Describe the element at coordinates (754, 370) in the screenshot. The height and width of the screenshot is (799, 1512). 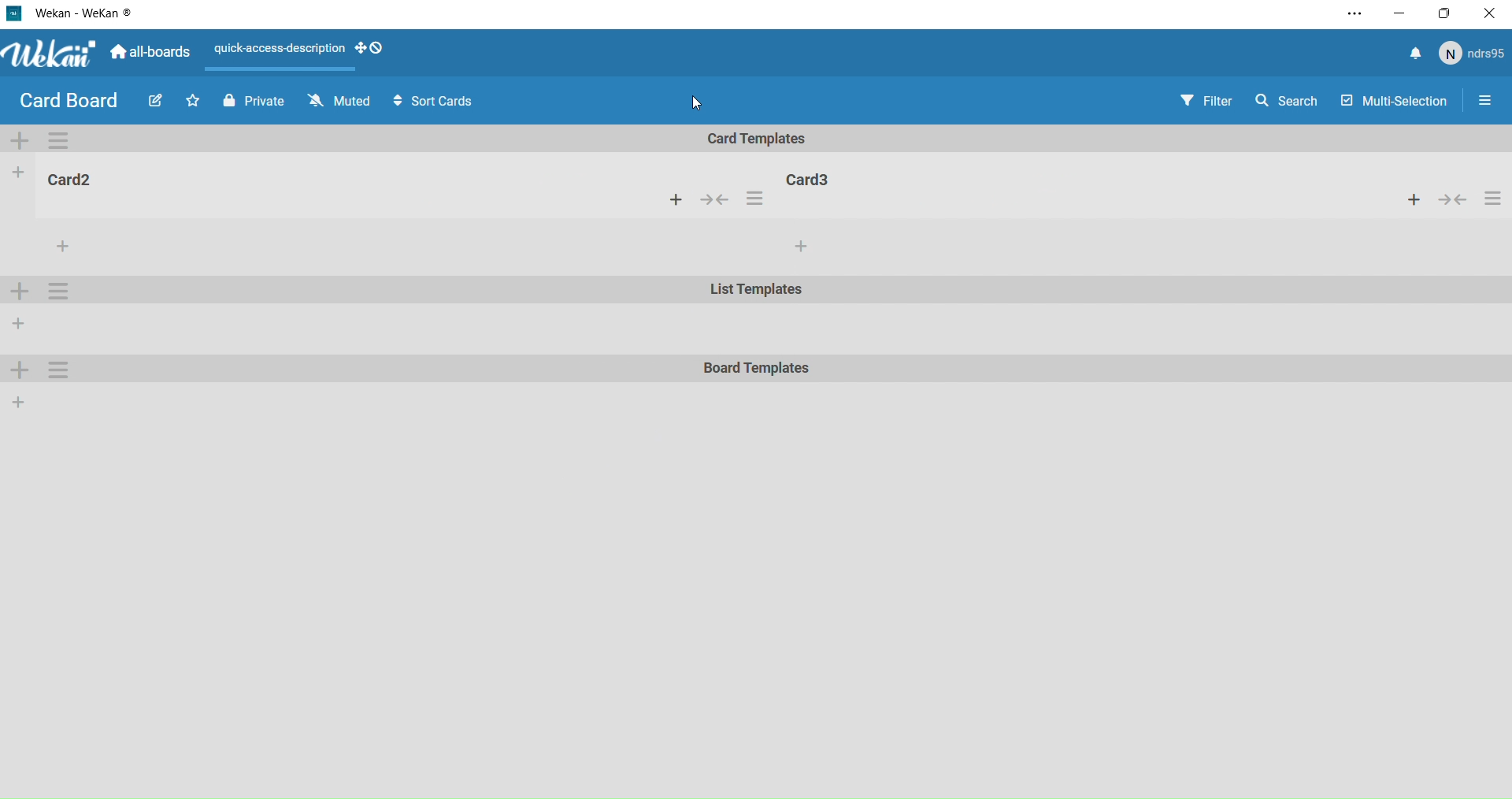
I see `Board Templates` at that location.